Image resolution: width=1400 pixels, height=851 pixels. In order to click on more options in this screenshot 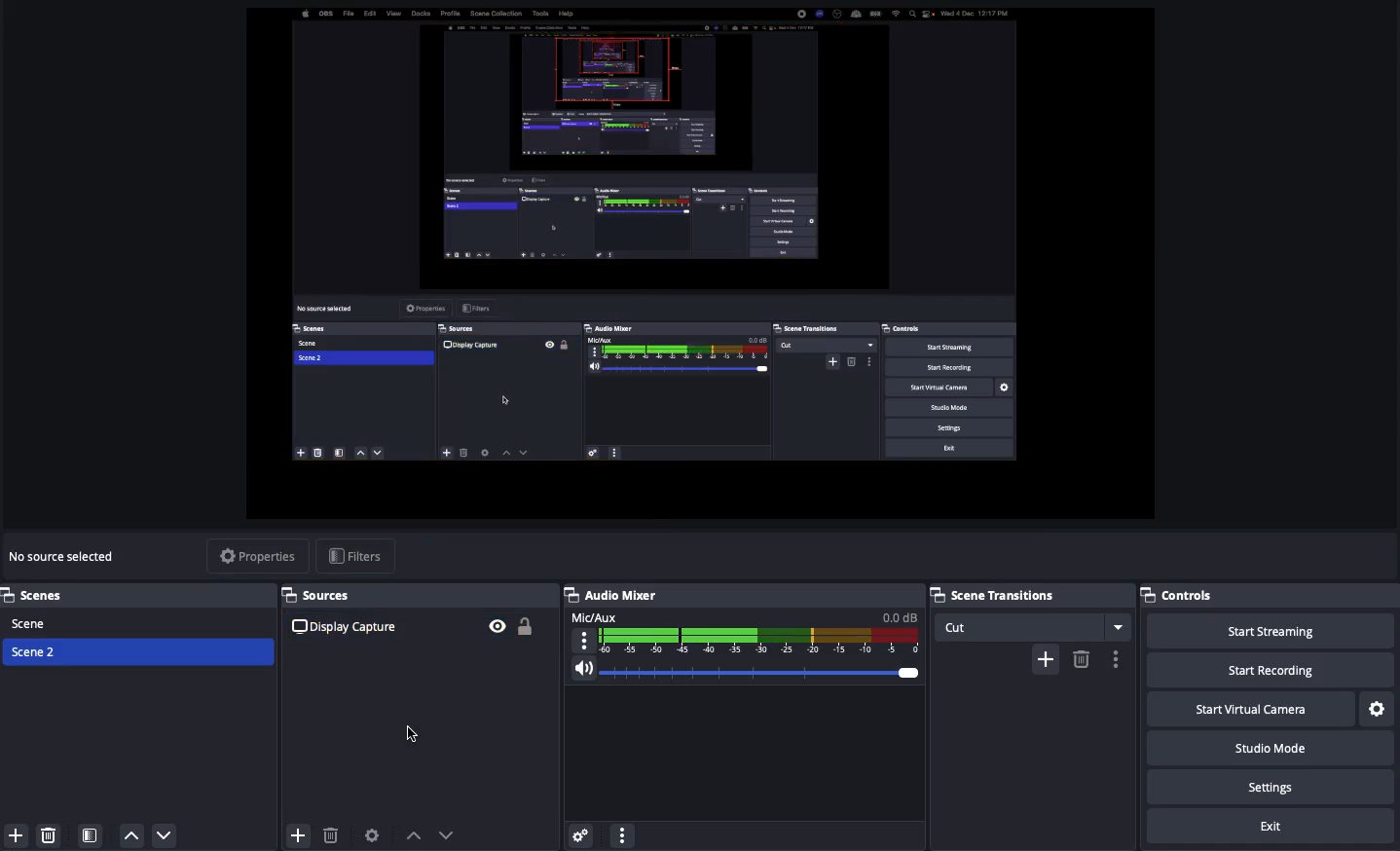, I will do `click(1119, 659)`.